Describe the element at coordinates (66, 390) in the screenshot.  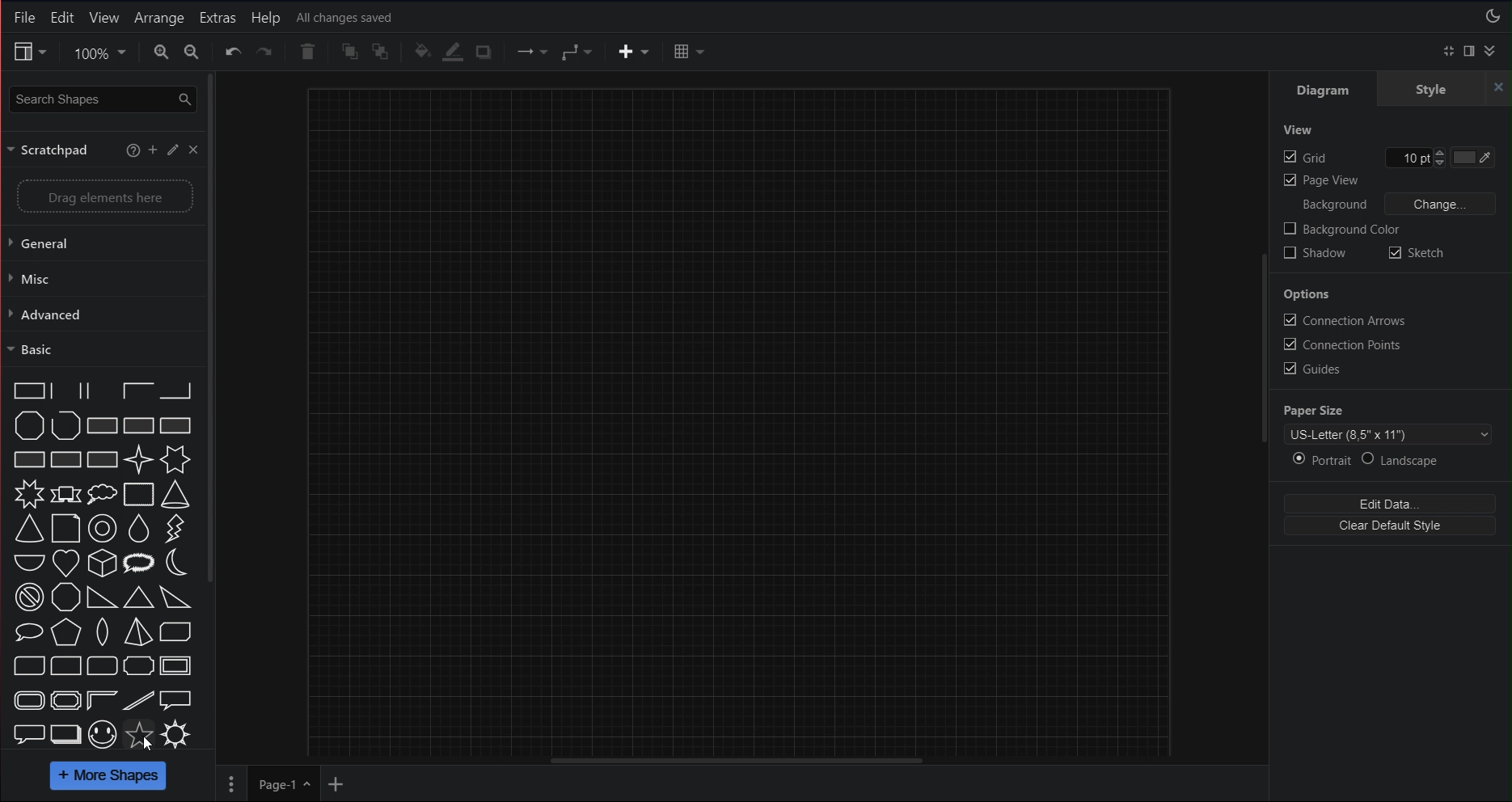
I see `partial rectangle` at that location.